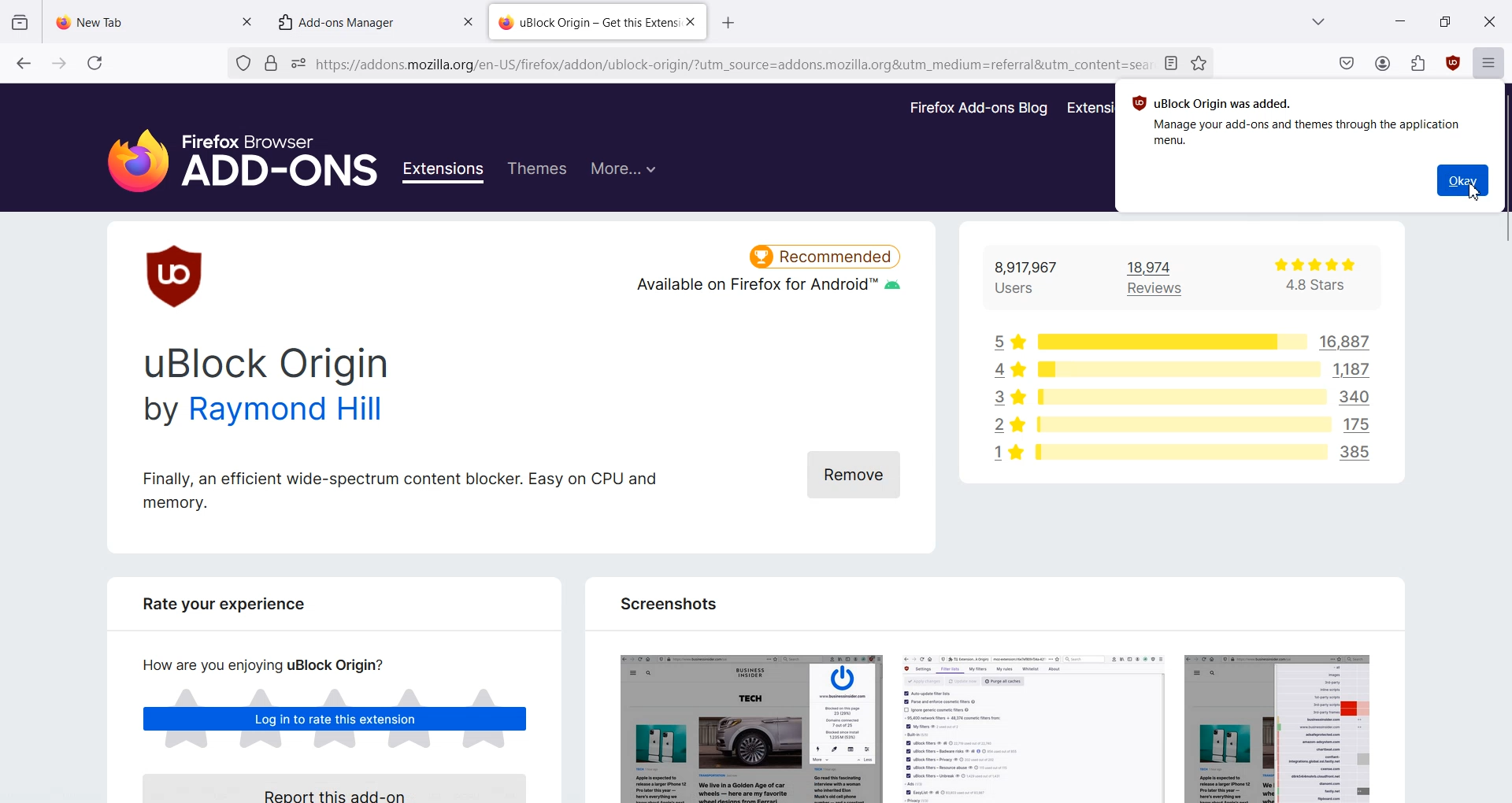 This screenshot has width=1512, height=803. I want to click on 1 star rating, so click(1002, 456).